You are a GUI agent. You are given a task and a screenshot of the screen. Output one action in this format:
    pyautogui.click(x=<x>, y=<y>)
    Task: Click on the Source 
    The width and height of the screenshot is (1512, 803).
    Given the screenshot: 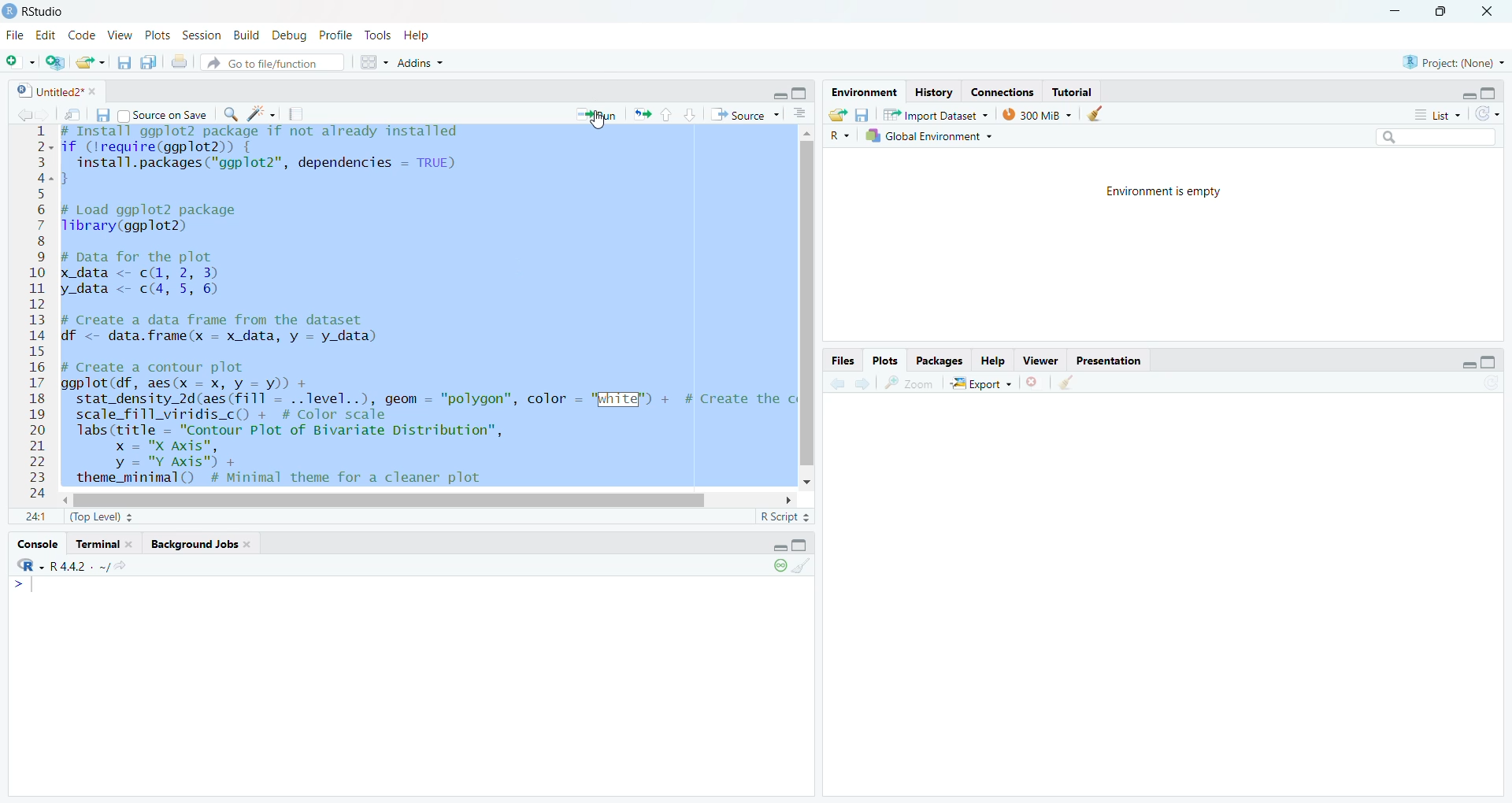 What is the action you would take?
    pyautogui.click(x=745, y=116)
    